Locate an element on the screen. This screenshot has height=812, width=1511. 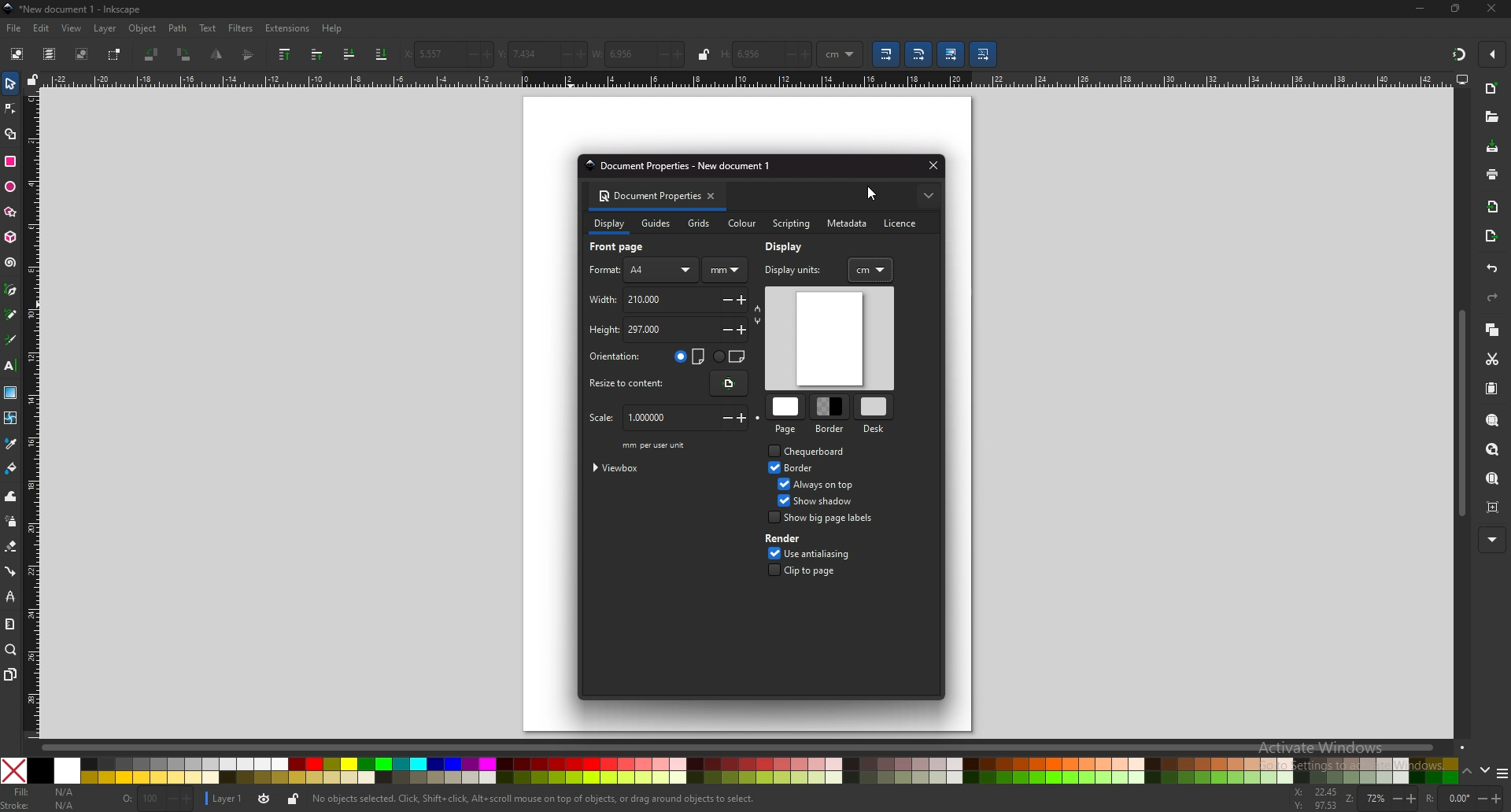
polygon is located at coordinates (10, 212).